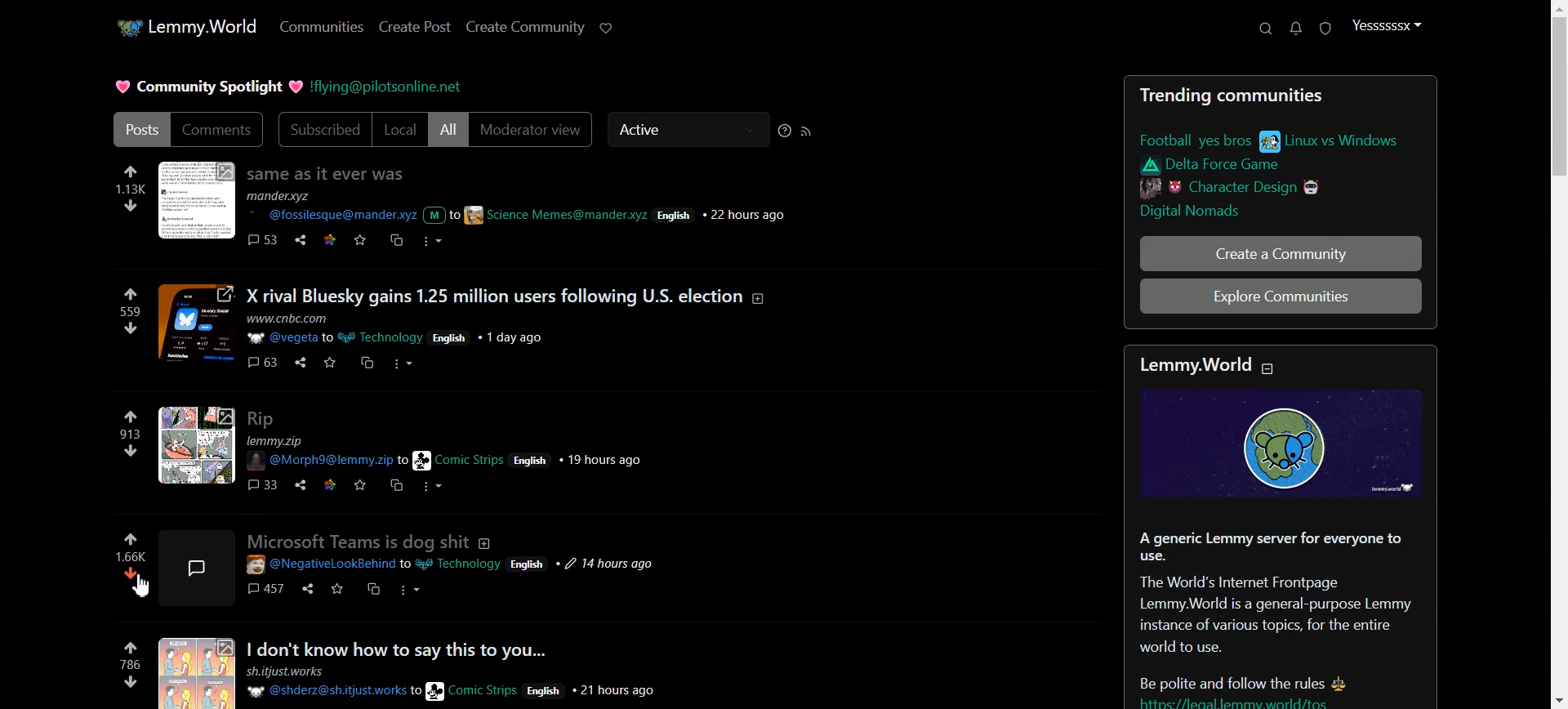 Image resolution: width=1568 pixels, height=709 pixels. I want to click on Create Community, so click(525, 26).